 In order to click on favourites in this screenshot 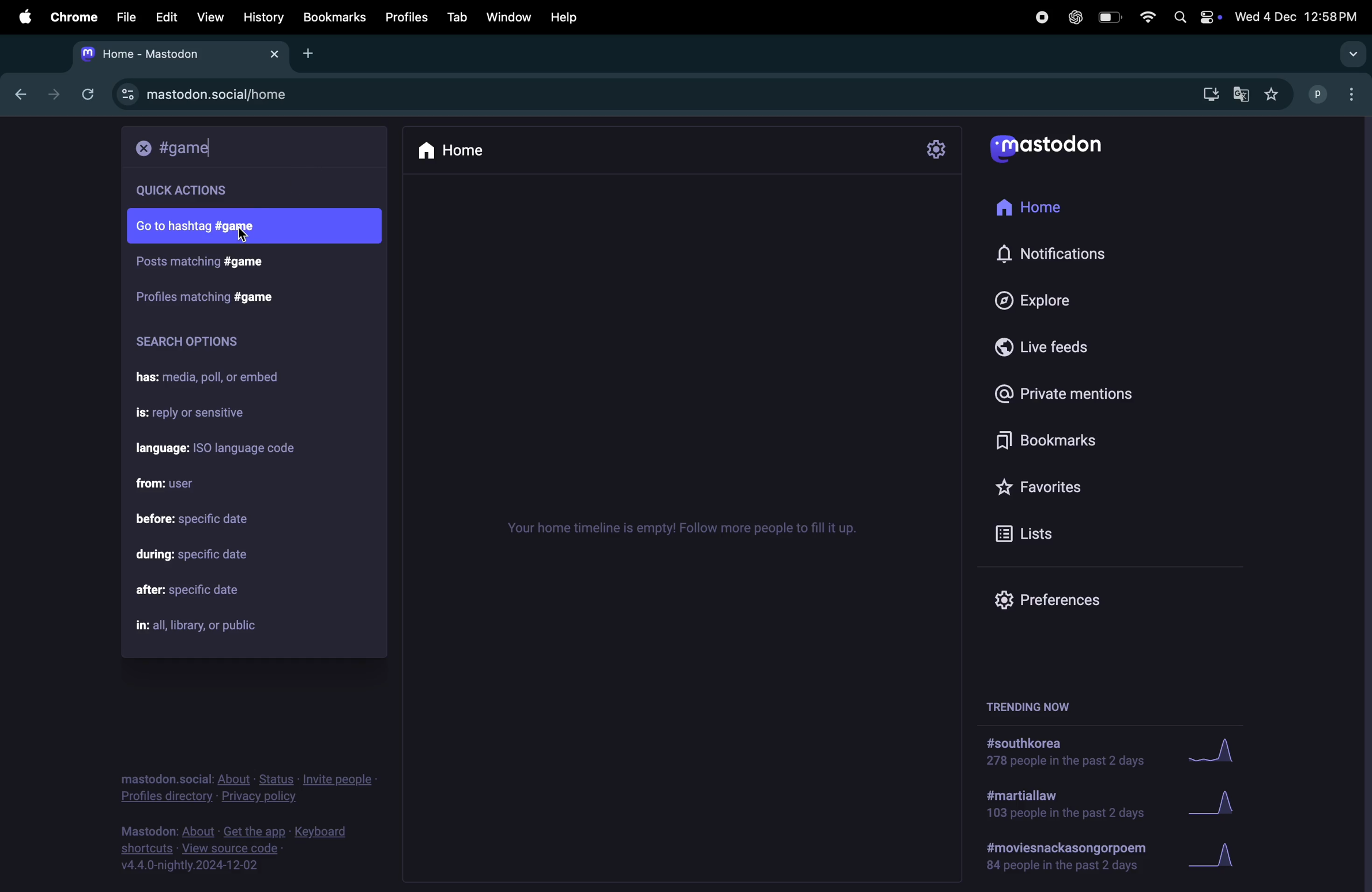, I will do `click(1275, 93)`.